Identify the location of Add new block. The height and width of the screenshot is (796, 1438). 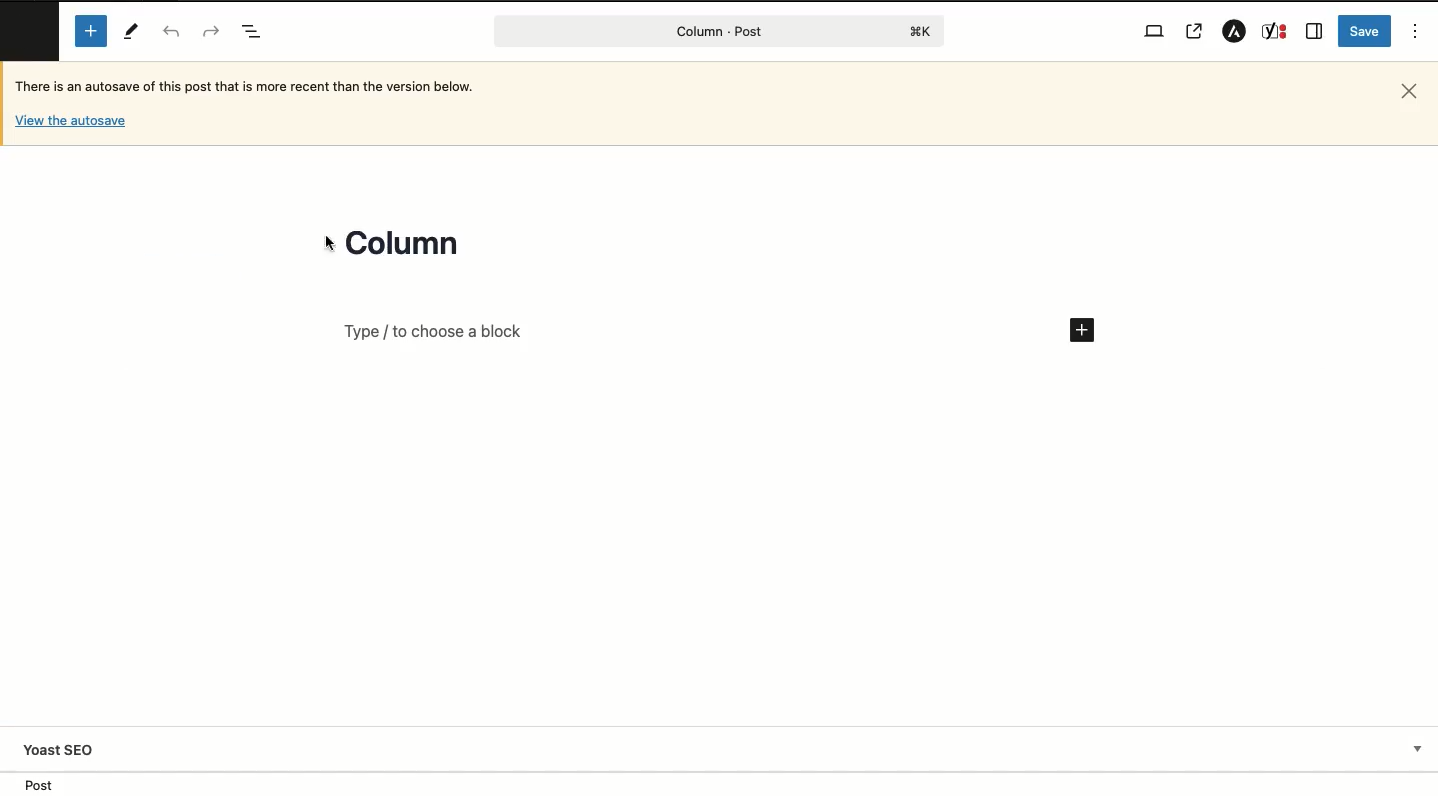
(719, 329).